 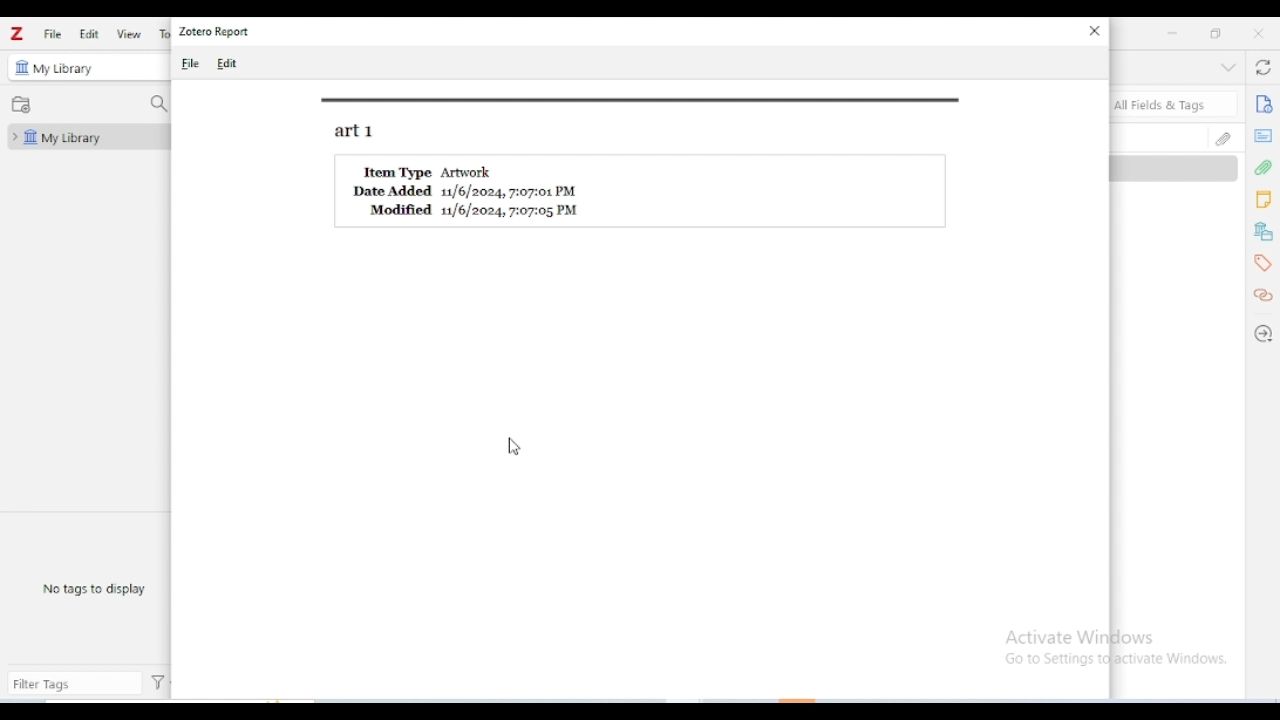 I want to click on view, so click(x=128, y=34).